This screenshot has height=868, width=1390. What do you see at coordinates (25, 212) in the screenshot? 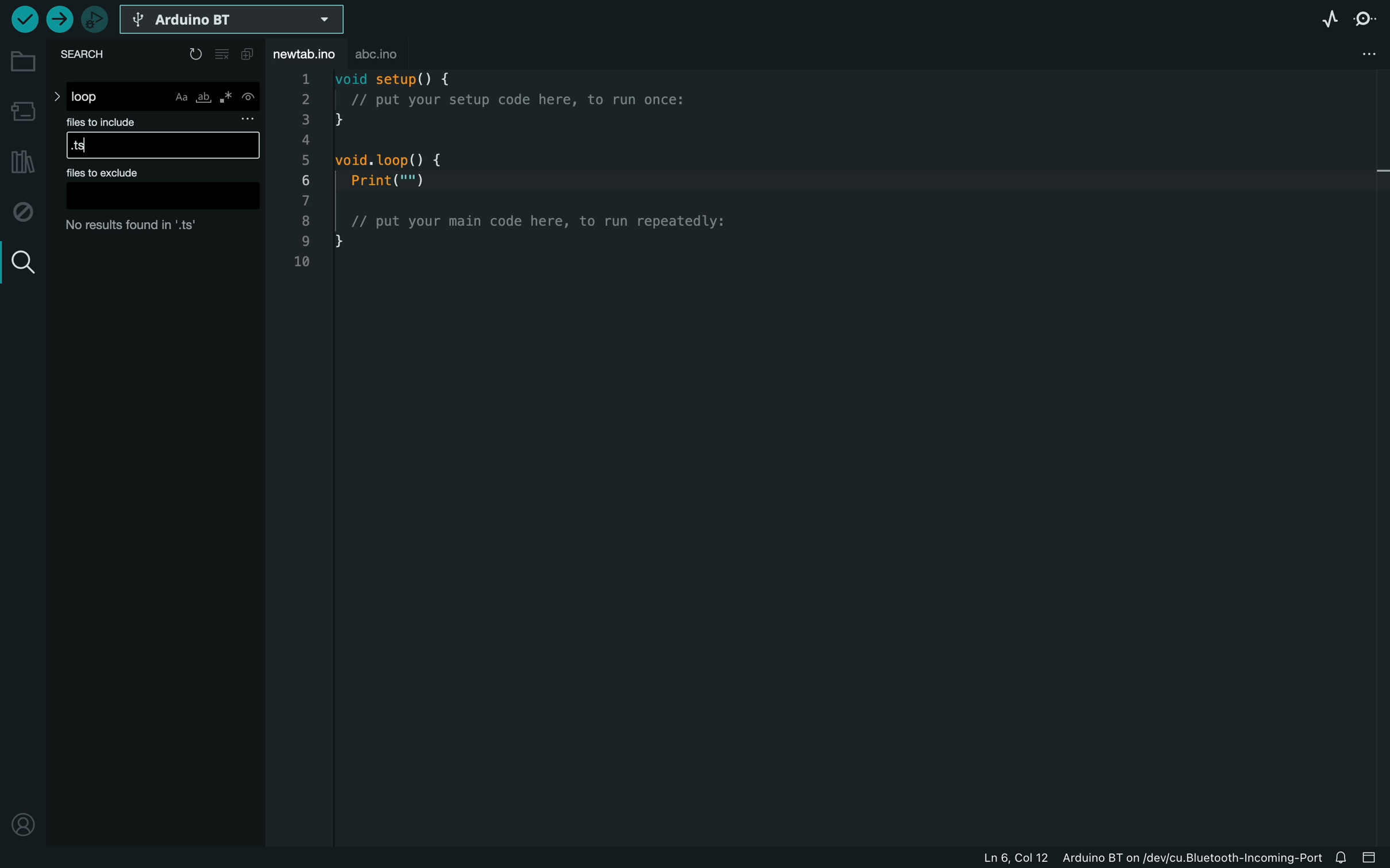
I see `debug` at bounding box center [25, 212].